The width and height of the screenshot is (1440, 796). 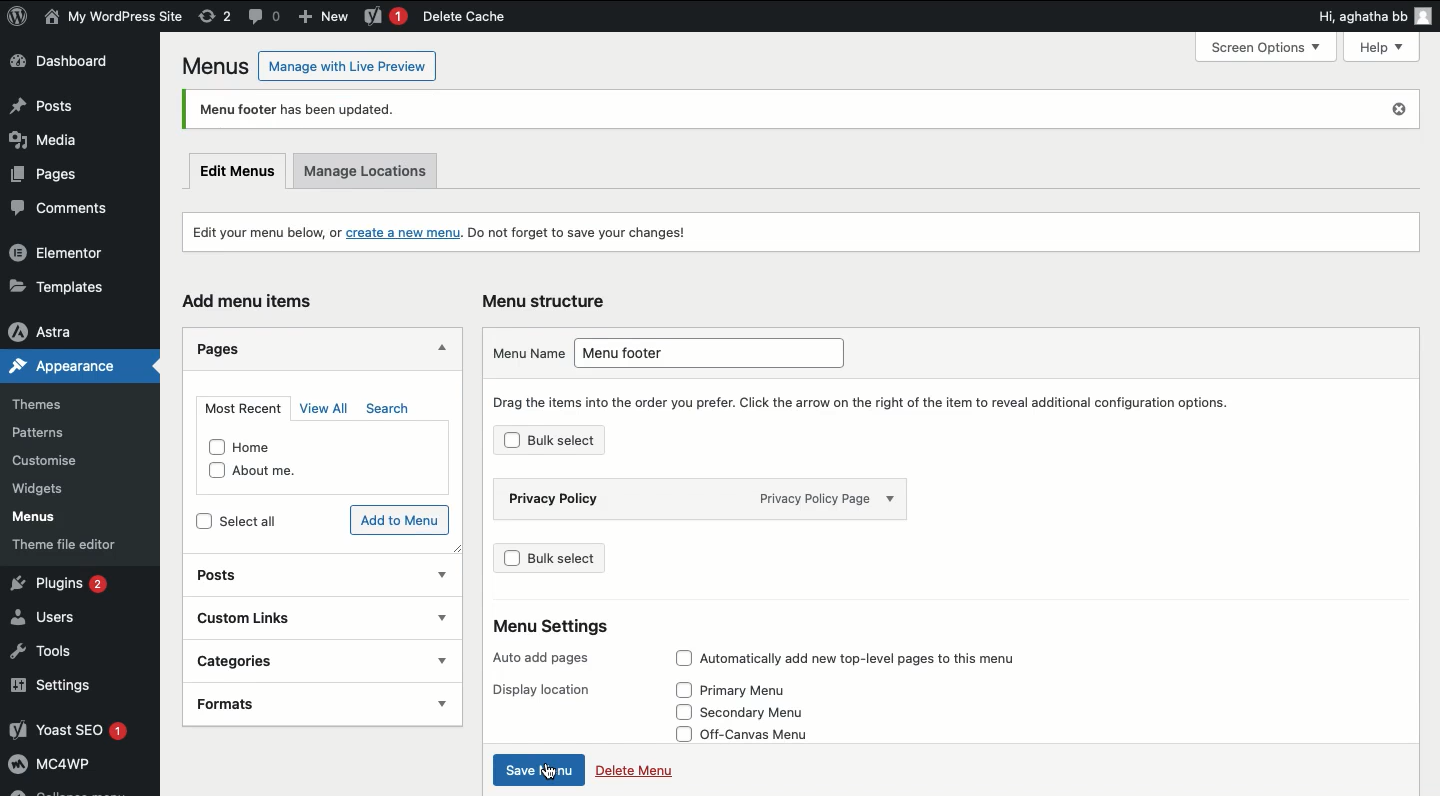 What do you see at coordinates (403, 231) in the screenshot?
I see `create a new menu.` at bounding box center [403, 231].